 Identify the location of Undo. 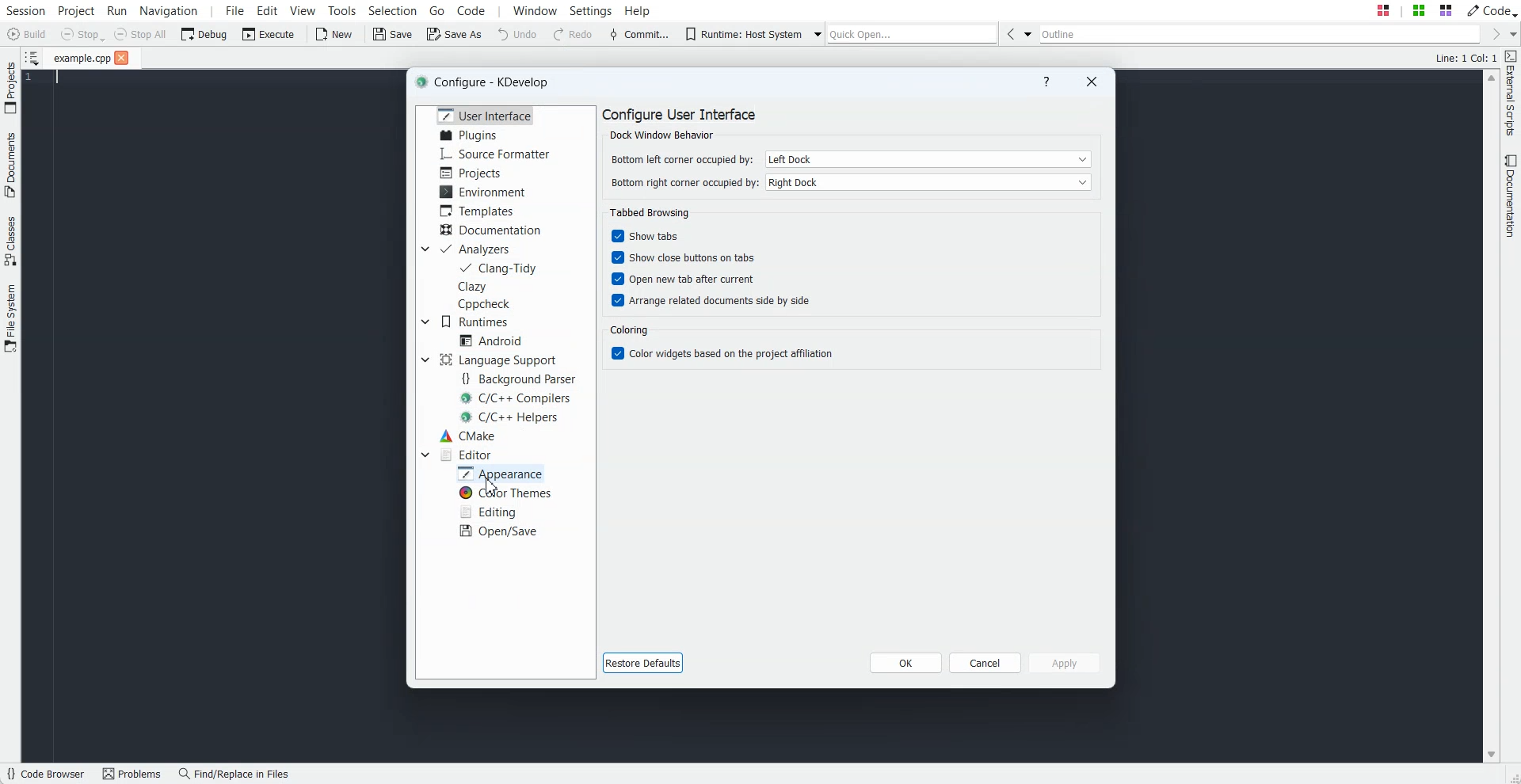
(517, 34).